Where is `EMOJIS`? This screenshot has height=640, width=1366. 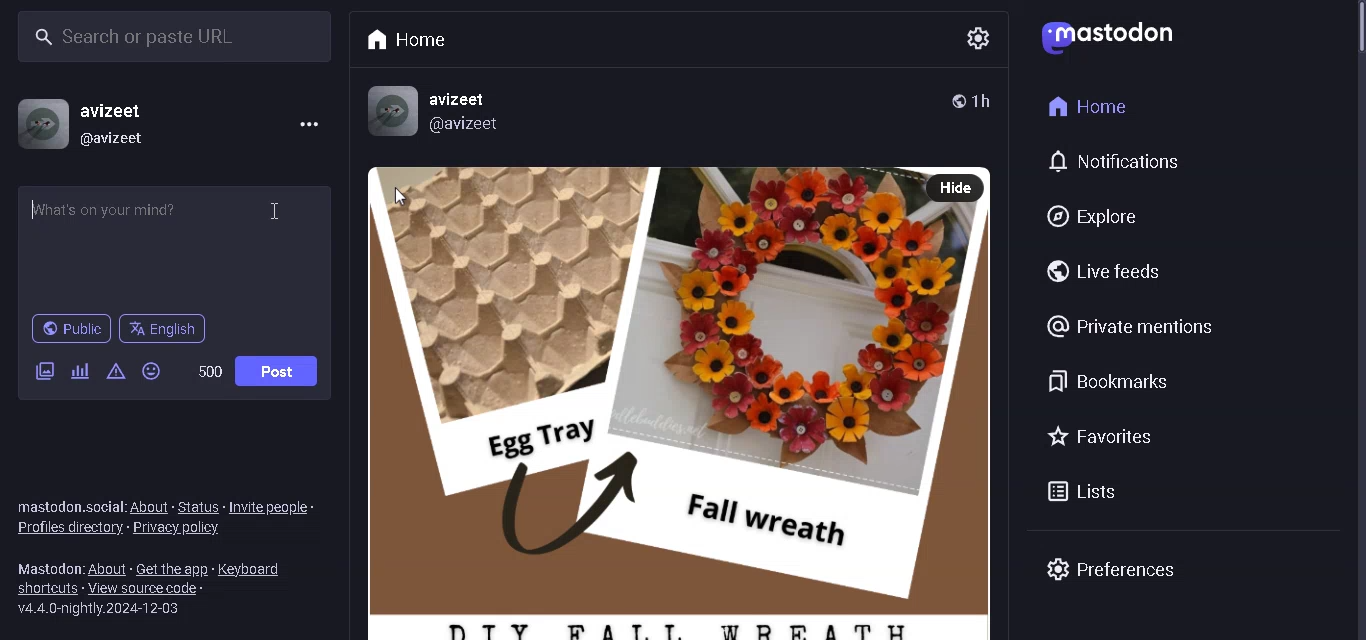 EMOJIS is located at coordinates (152, 370).